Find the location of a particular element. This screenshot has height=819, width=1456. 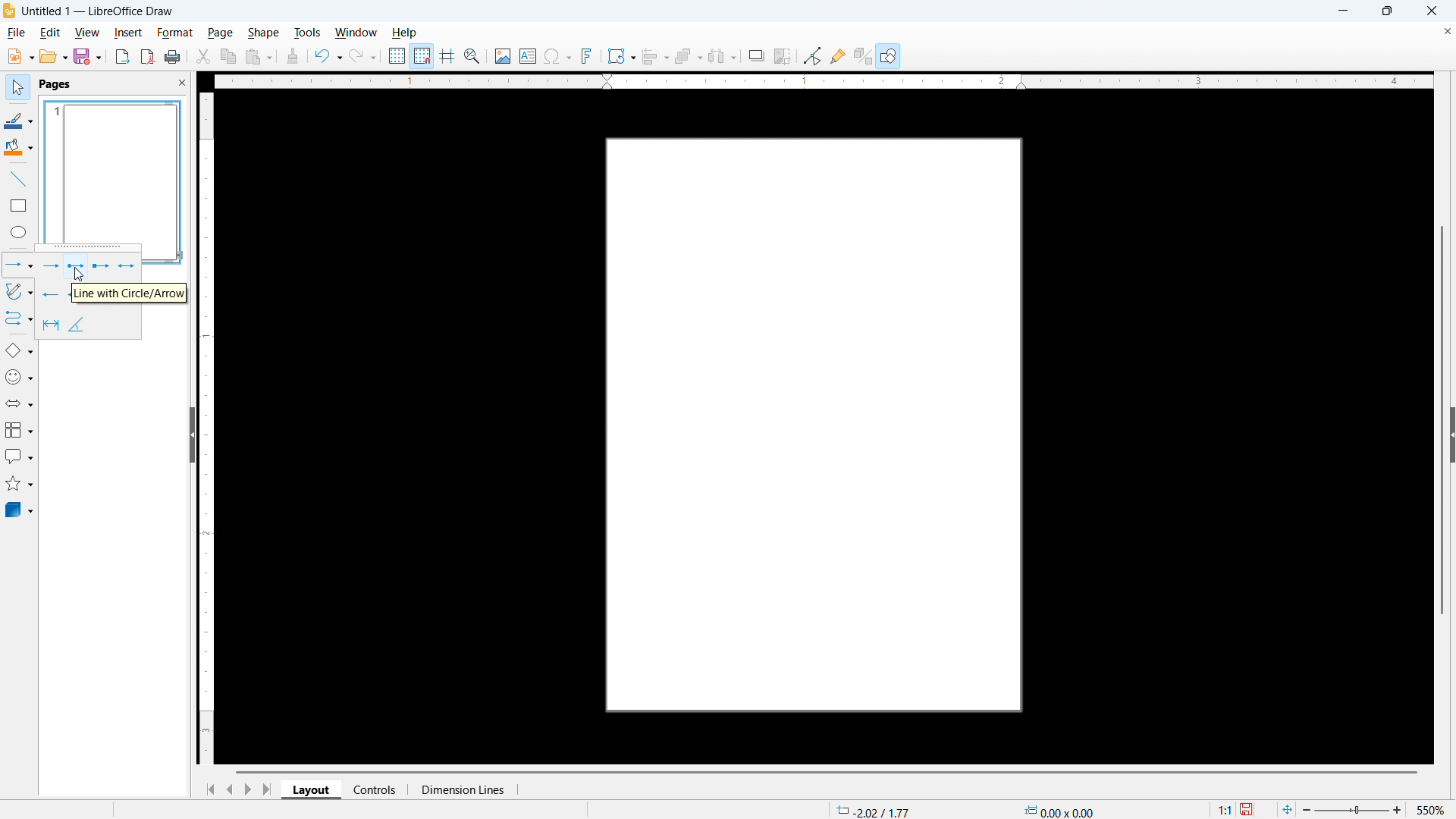

Horizontal scroll bar  is located at coordinates (827, 772).